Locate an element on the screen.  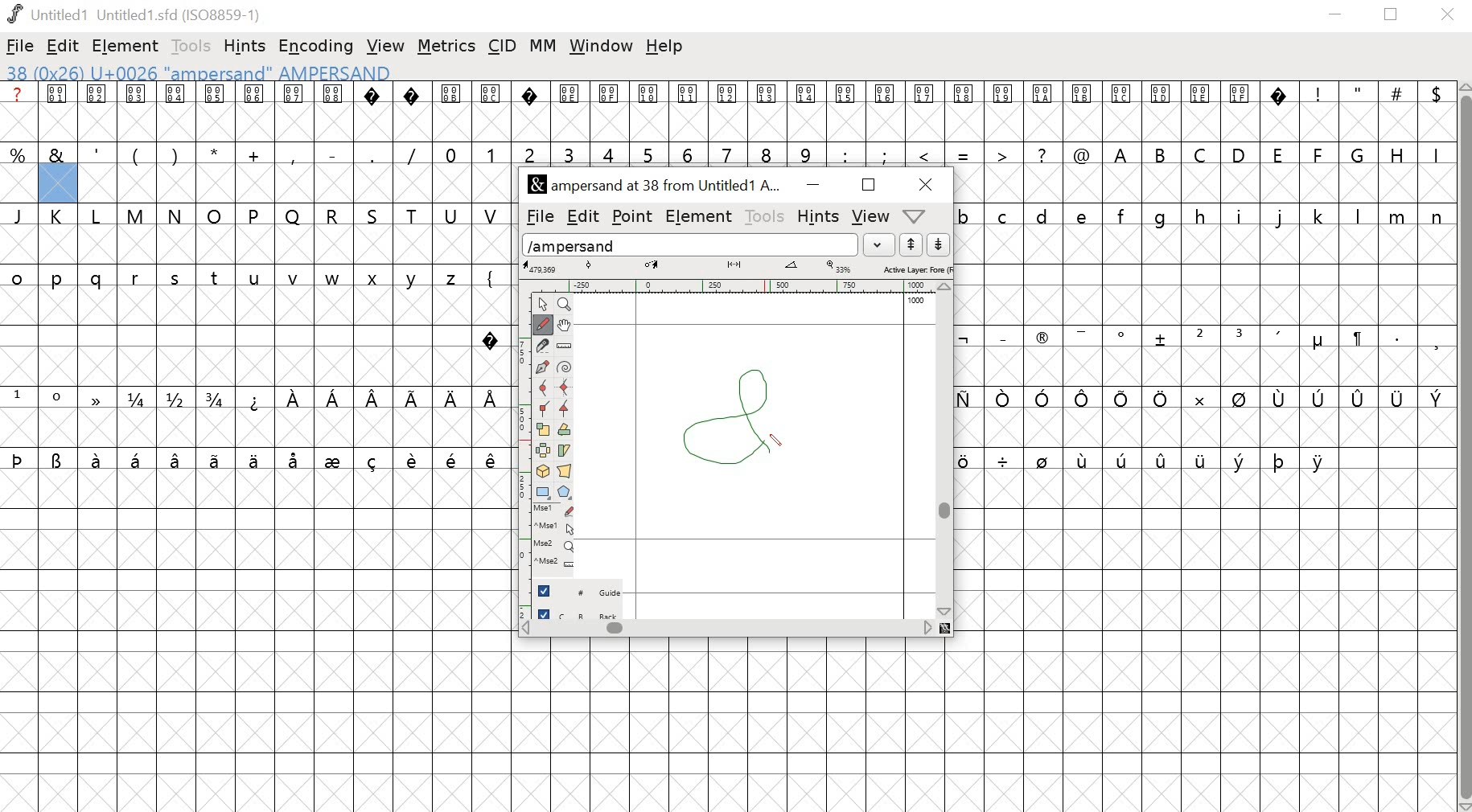
symbol is located at coordinates (253, 459).